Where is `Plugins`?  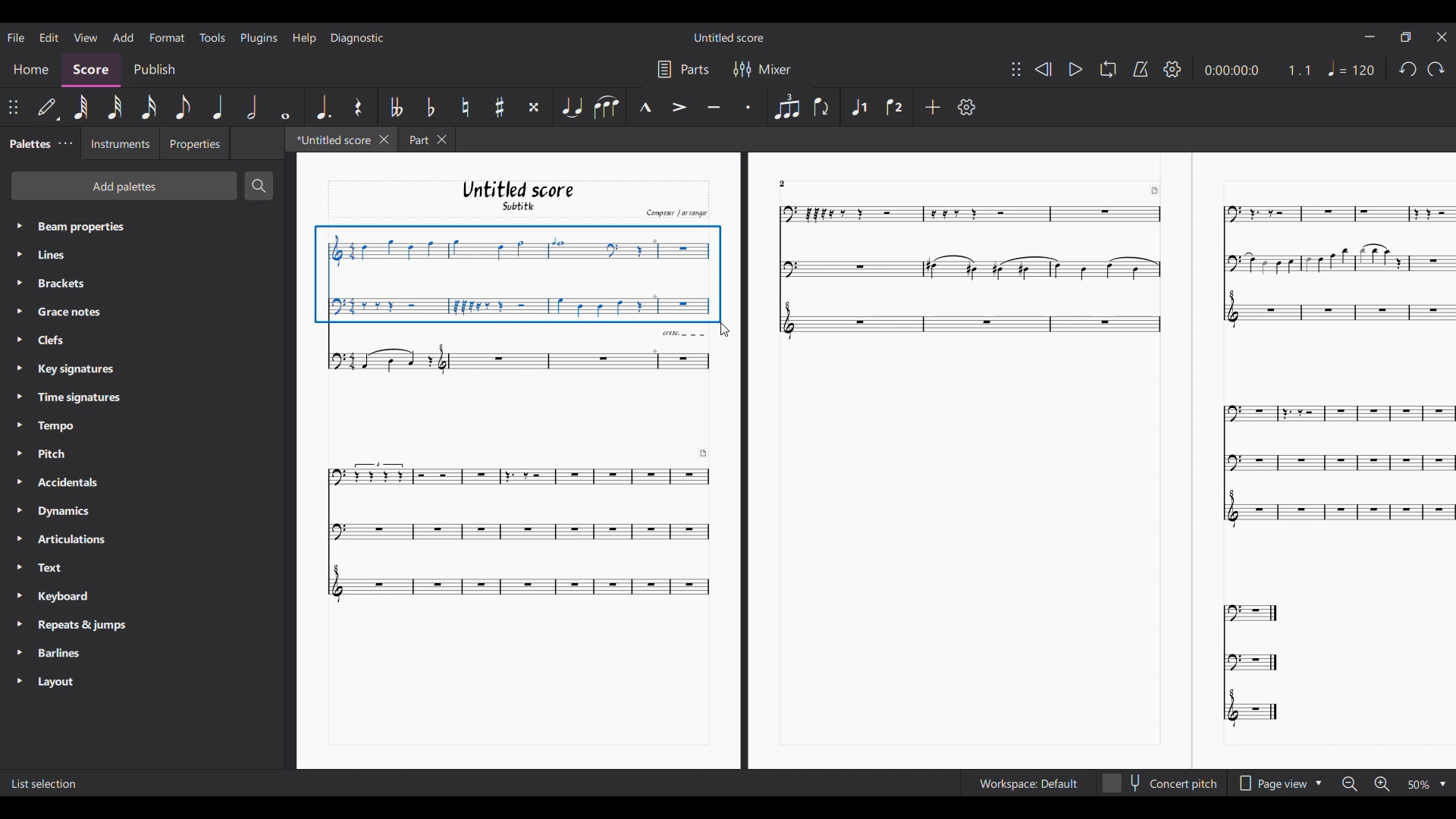
Plugins is located at coordinates (259, 38).